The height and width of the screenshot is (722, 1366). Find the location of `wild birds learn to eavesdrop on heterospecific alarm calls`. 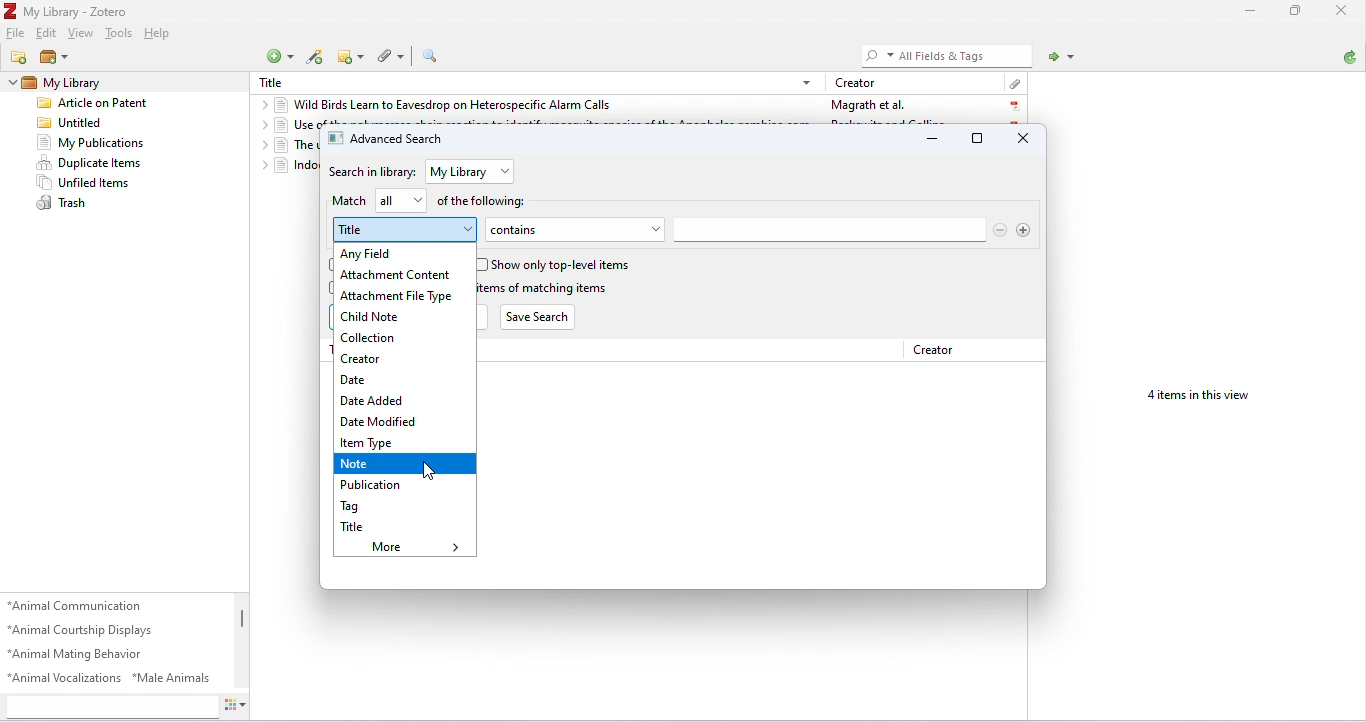

wild birds learn to eavesdrop on heterospecific alarm calls is located at coordinates (447, 106).